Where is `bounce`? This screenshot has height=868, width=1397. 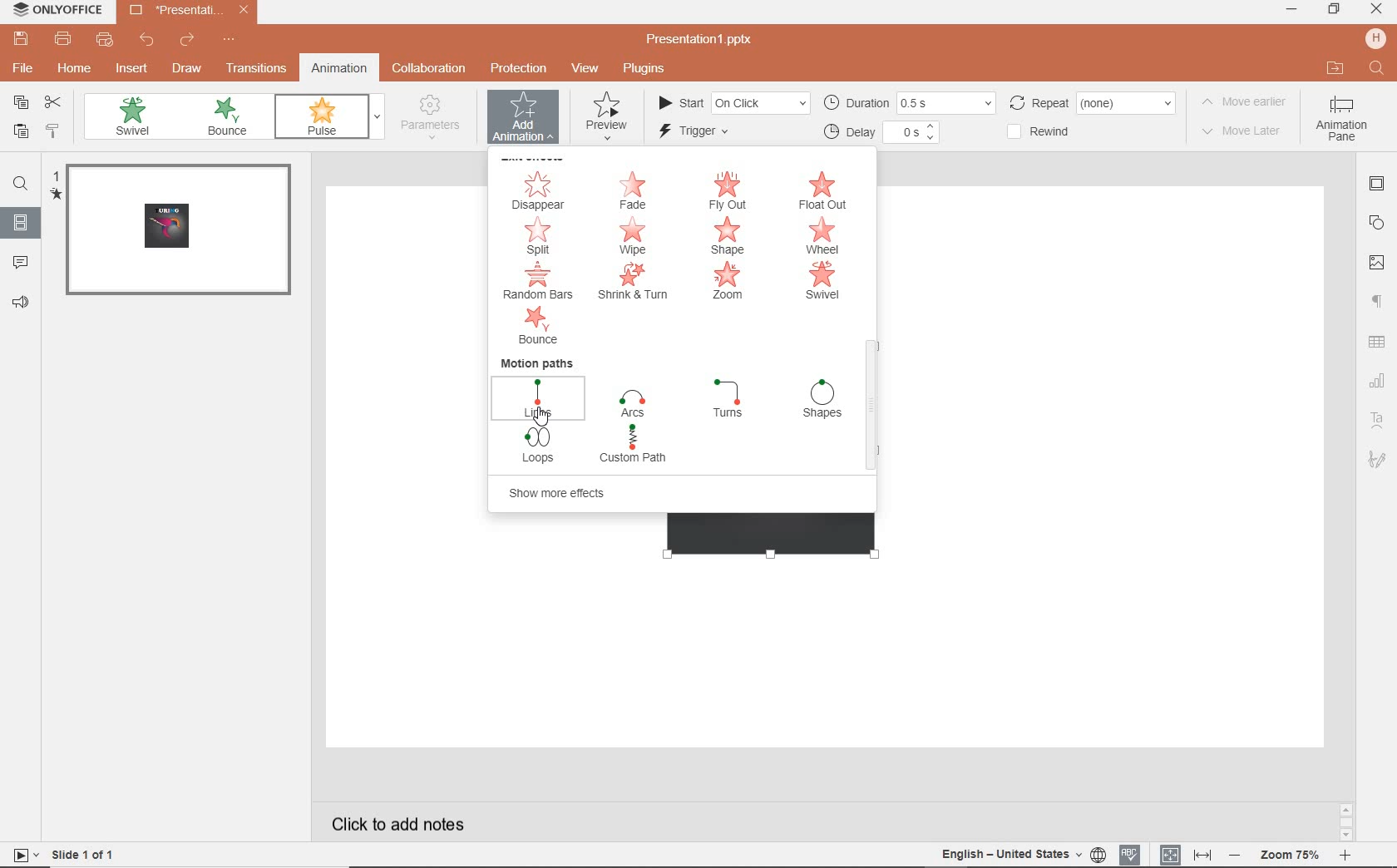
bounce is located at coordinates (229, 118).